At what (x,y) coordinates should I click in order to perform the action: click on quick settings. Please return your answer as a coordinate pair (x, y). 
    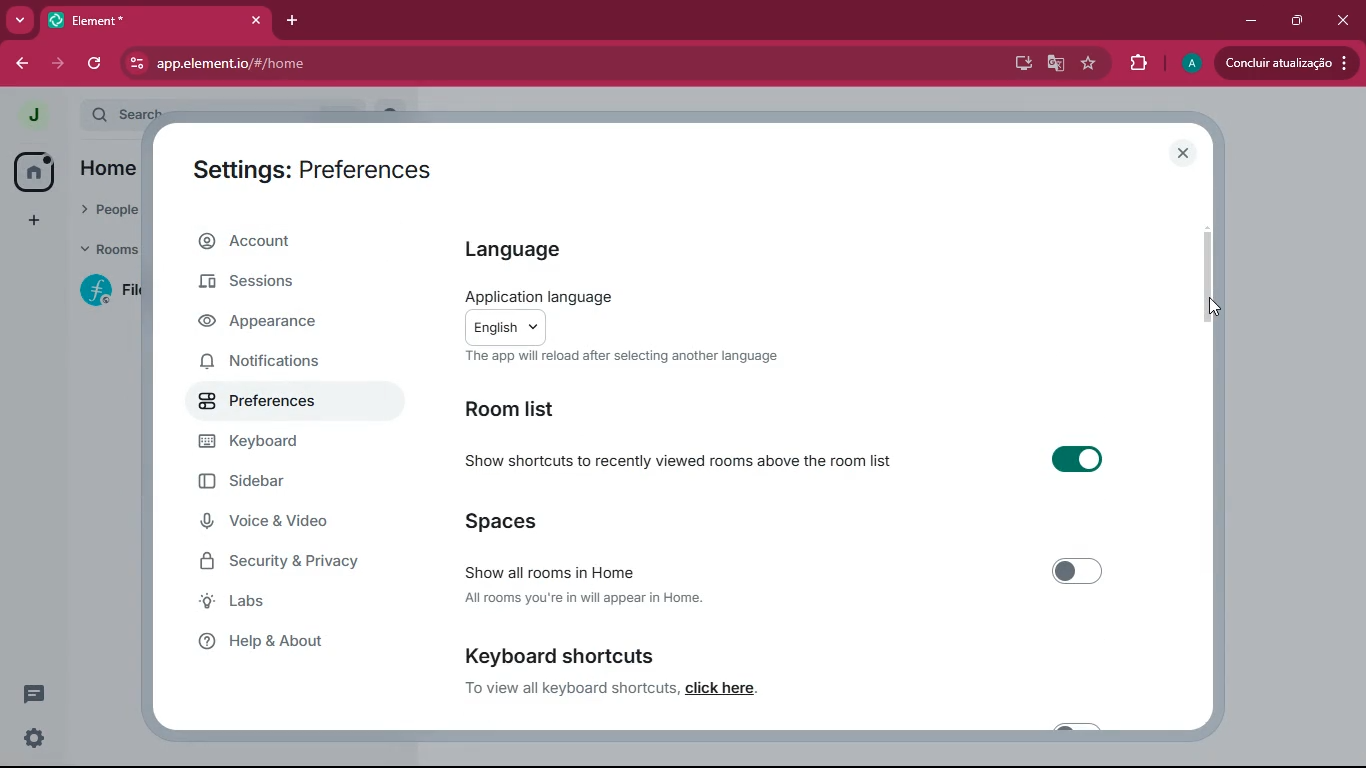
    Looking at the image, I should click on (34, 737).